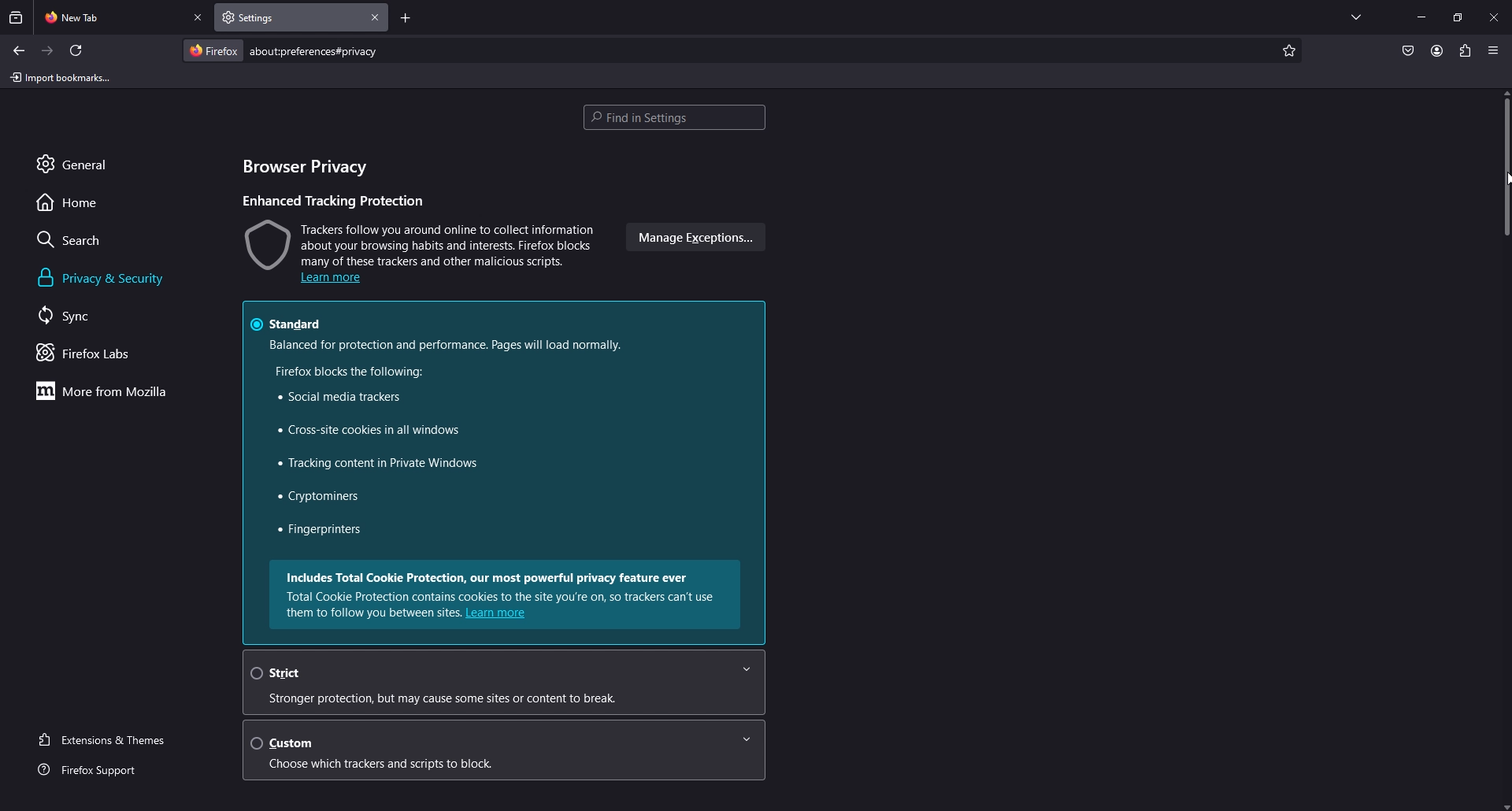 The height and width of the screenshot is (811, 1512). What do you see at coordinates (265, 243) in the screenshot?
I see `shield logo` at bounding box center [265, 243].